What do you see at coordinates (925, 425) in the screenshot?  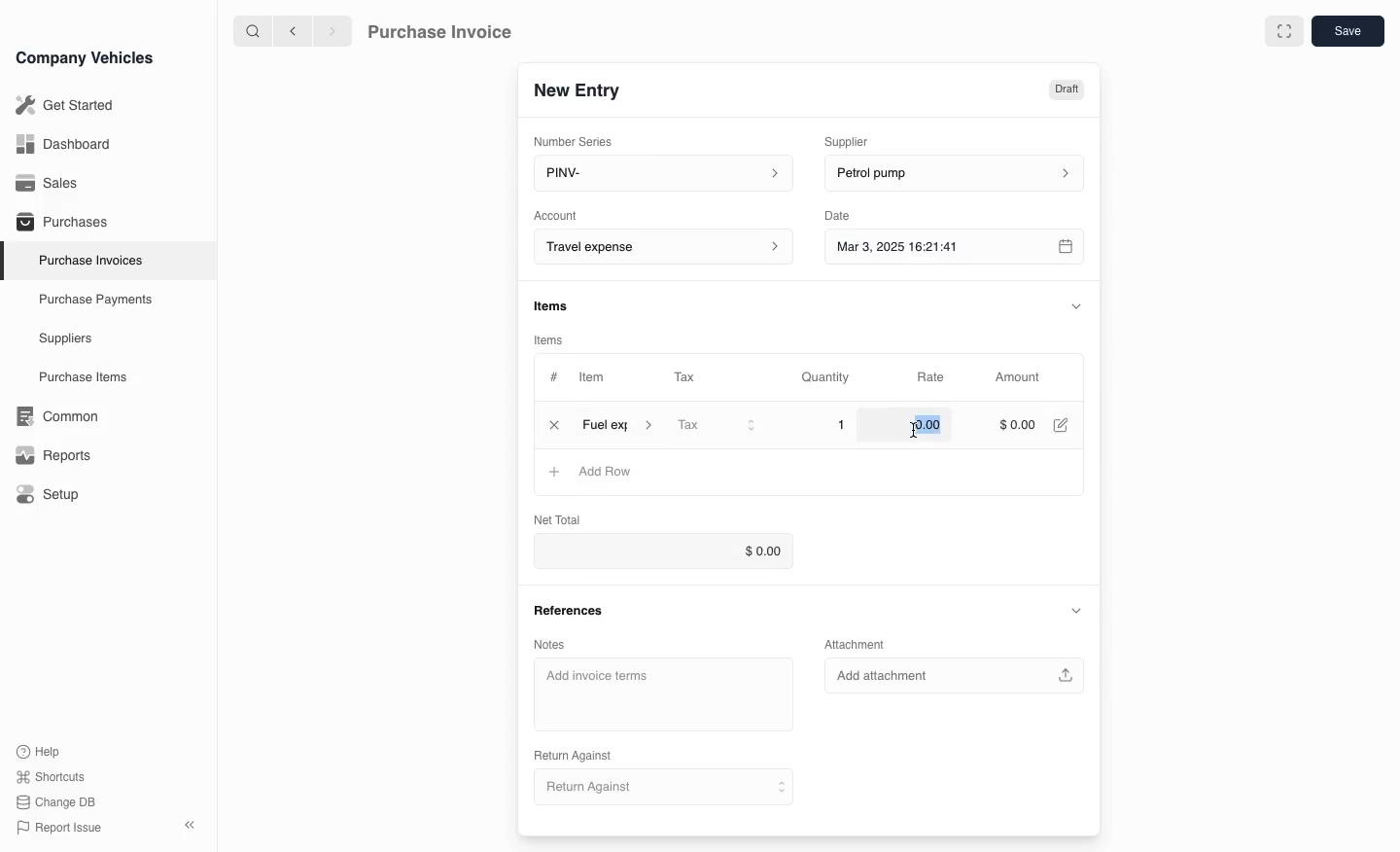 I see `$0.00` at bounding box center [925, 425].